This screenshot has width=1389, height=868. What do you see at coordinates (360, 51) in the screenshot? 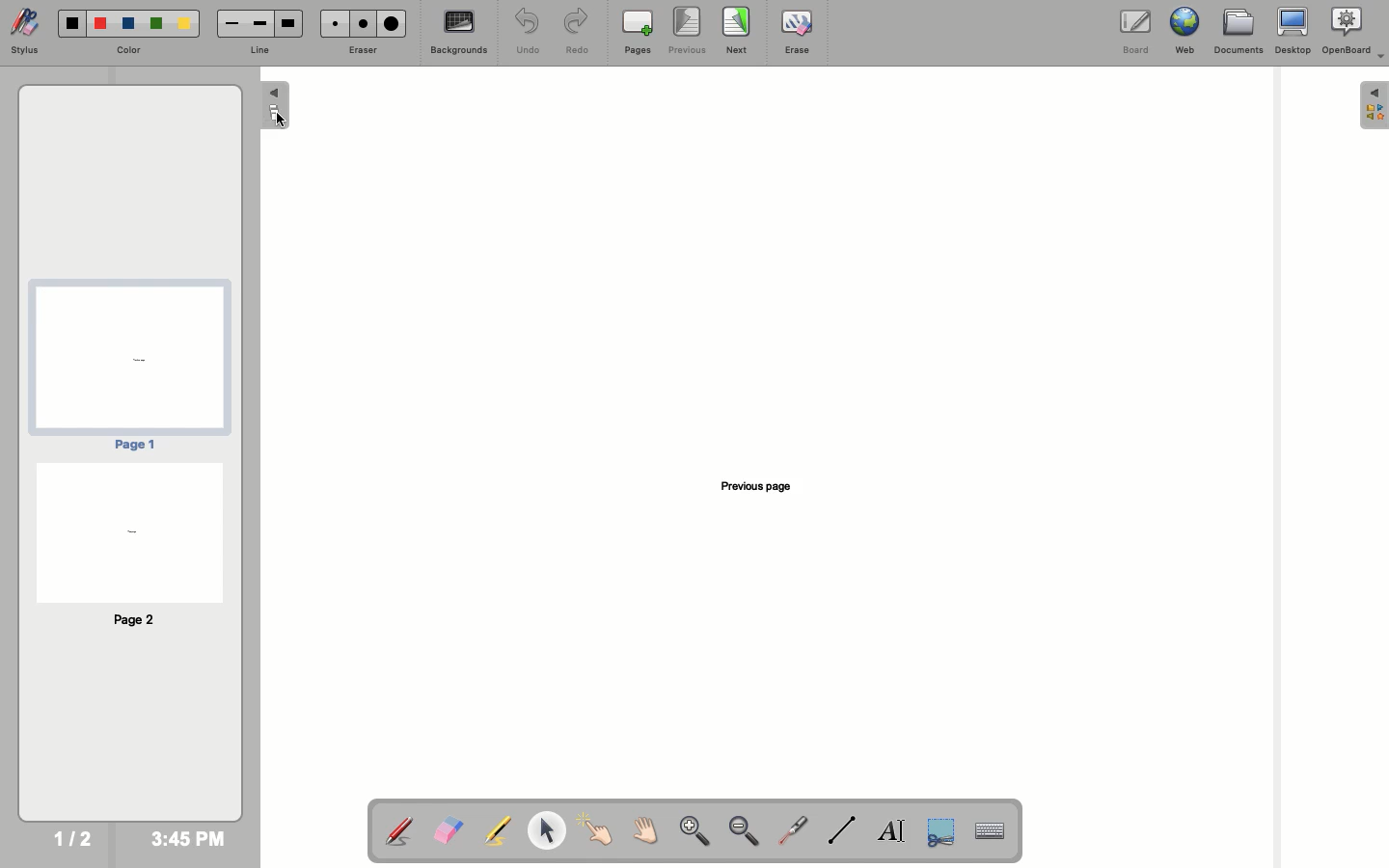
I see `Eraser` at bounding box center [360, 51].